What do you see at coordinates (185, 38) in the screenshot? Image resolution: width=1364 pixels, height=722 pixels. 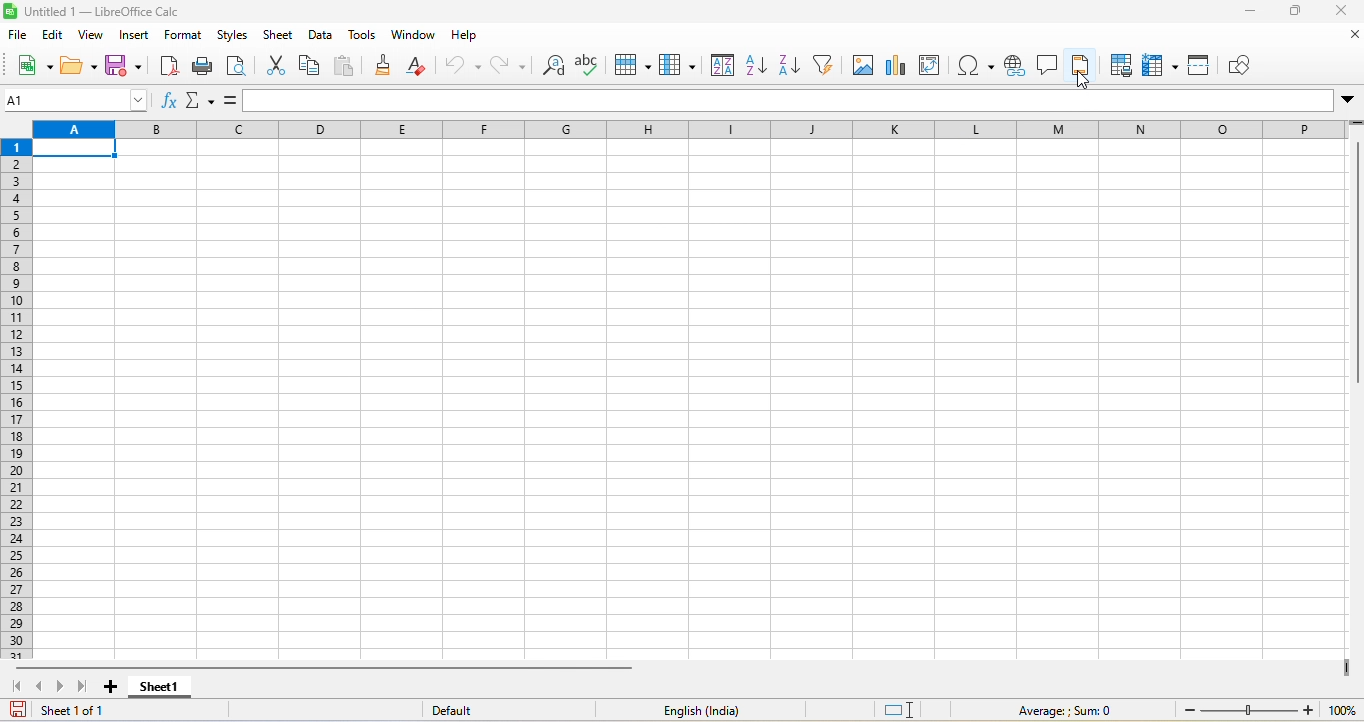 I see `format` at bounding box center [185, 38].